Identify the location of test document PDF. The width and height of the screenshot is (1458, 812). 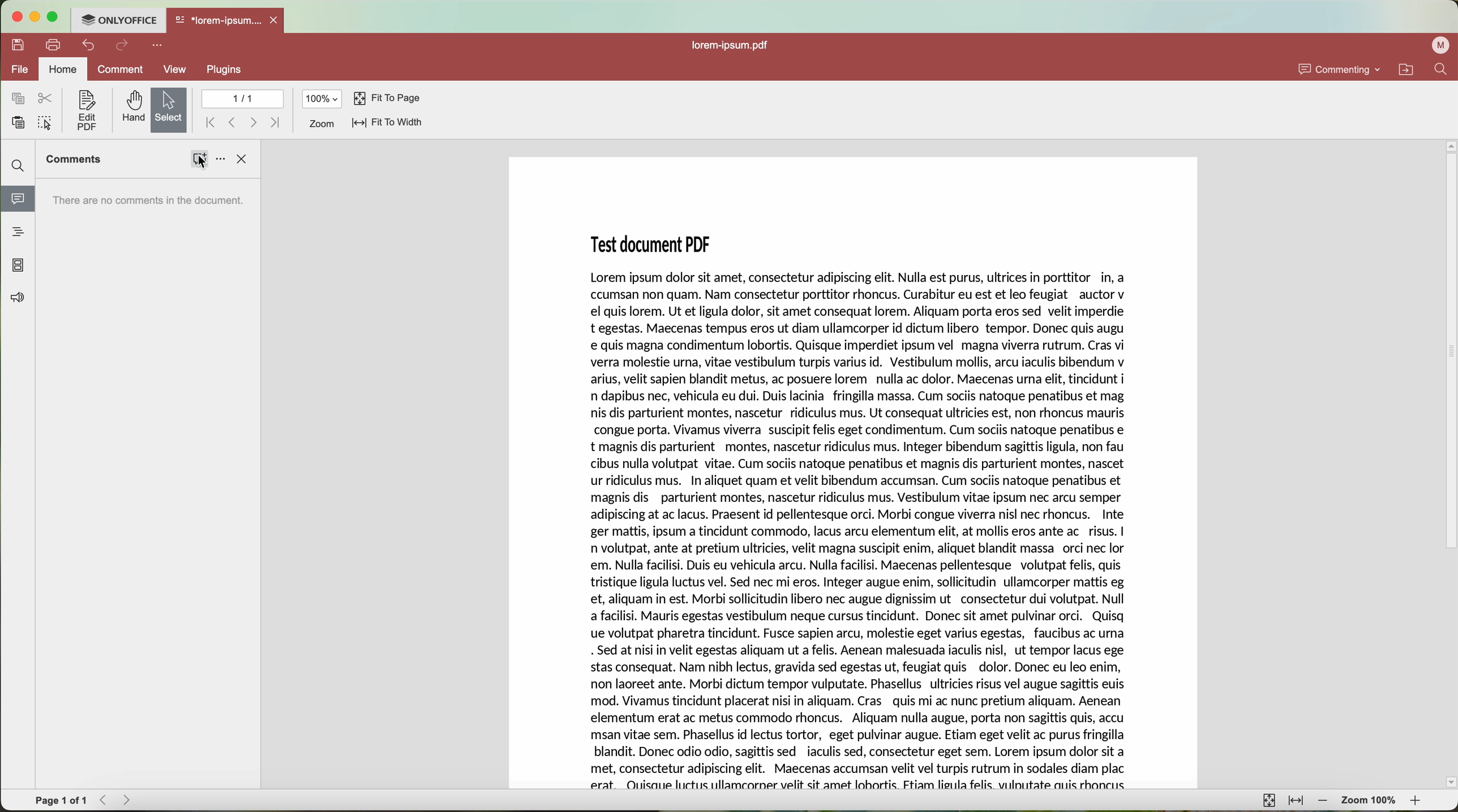
(851, 471).